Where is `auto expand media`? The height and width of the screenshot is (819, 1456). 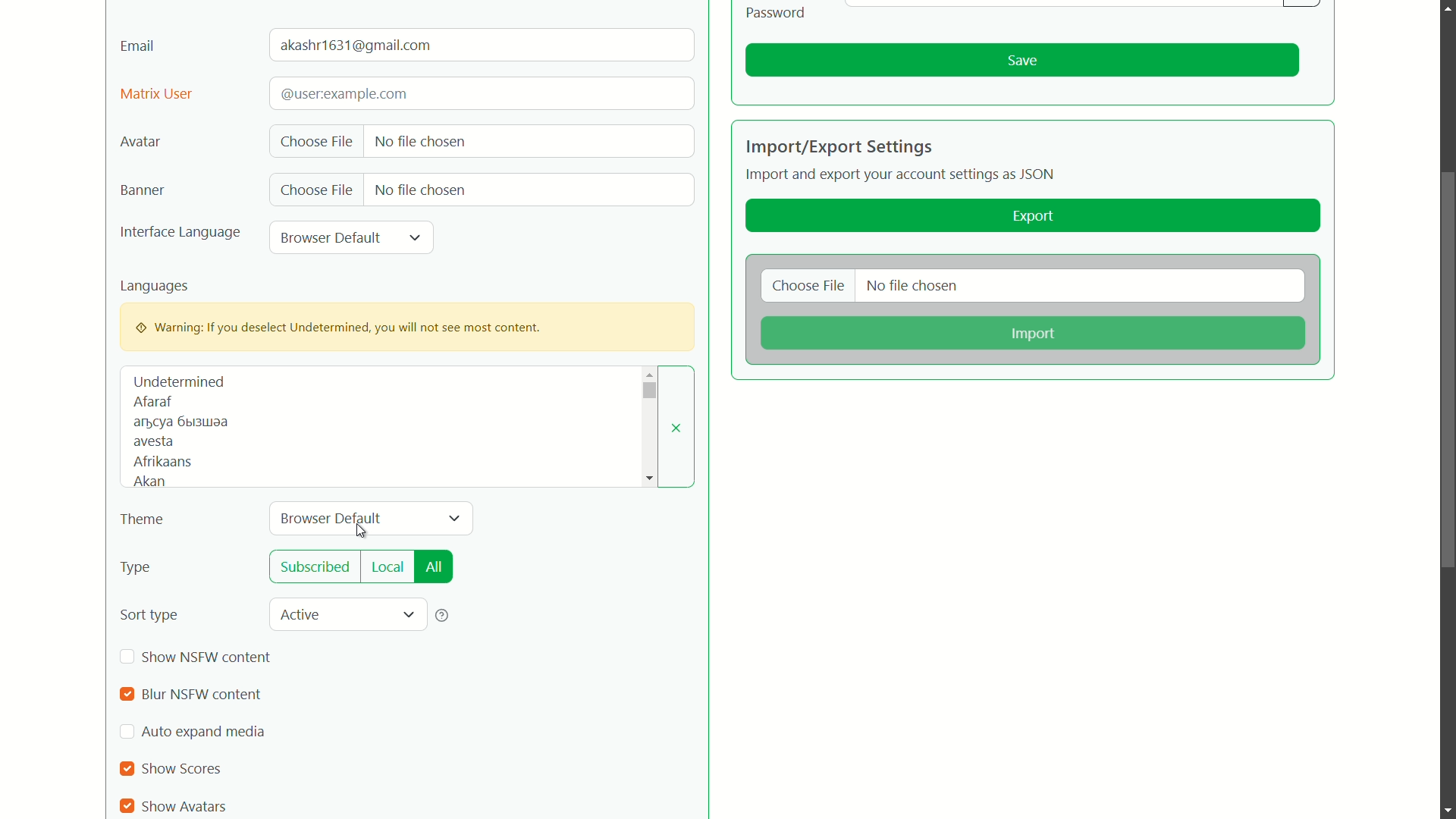 auto expand media is located at coordinates (204, 732).